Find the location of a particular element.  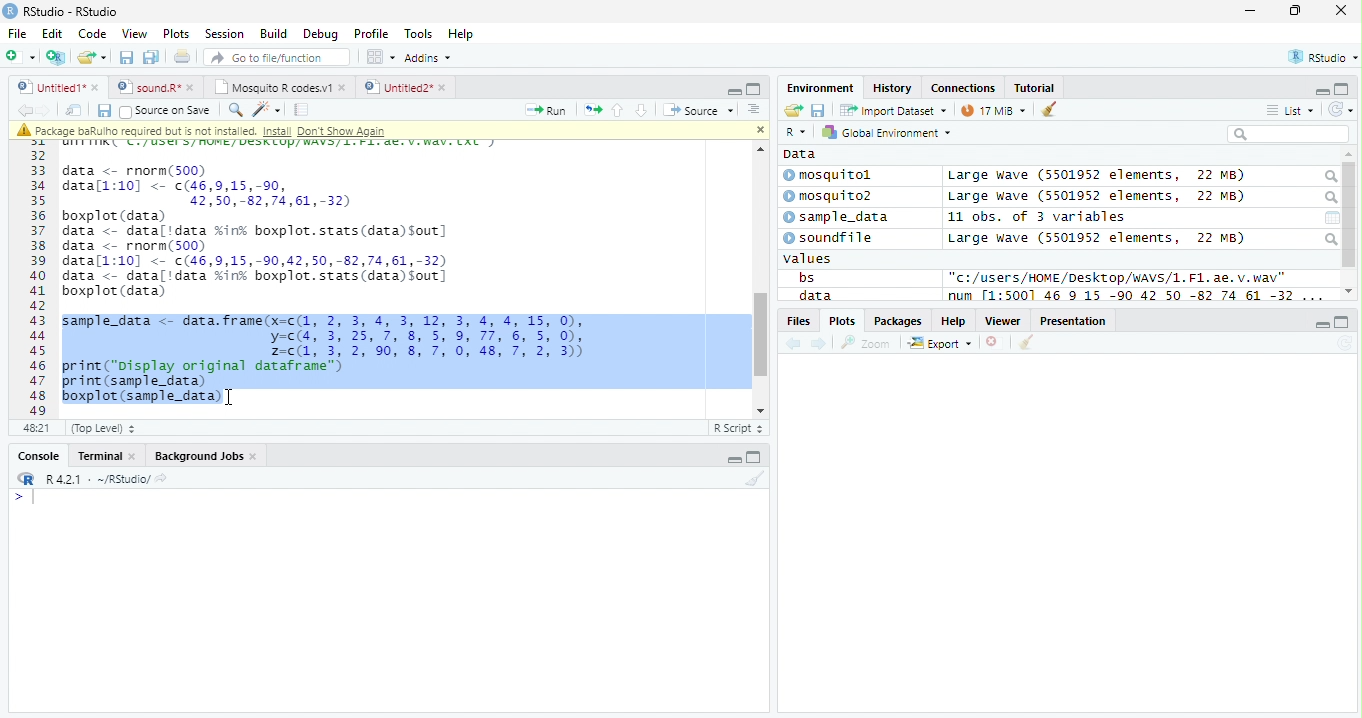

48:21 is located at coordinates (36, 427).